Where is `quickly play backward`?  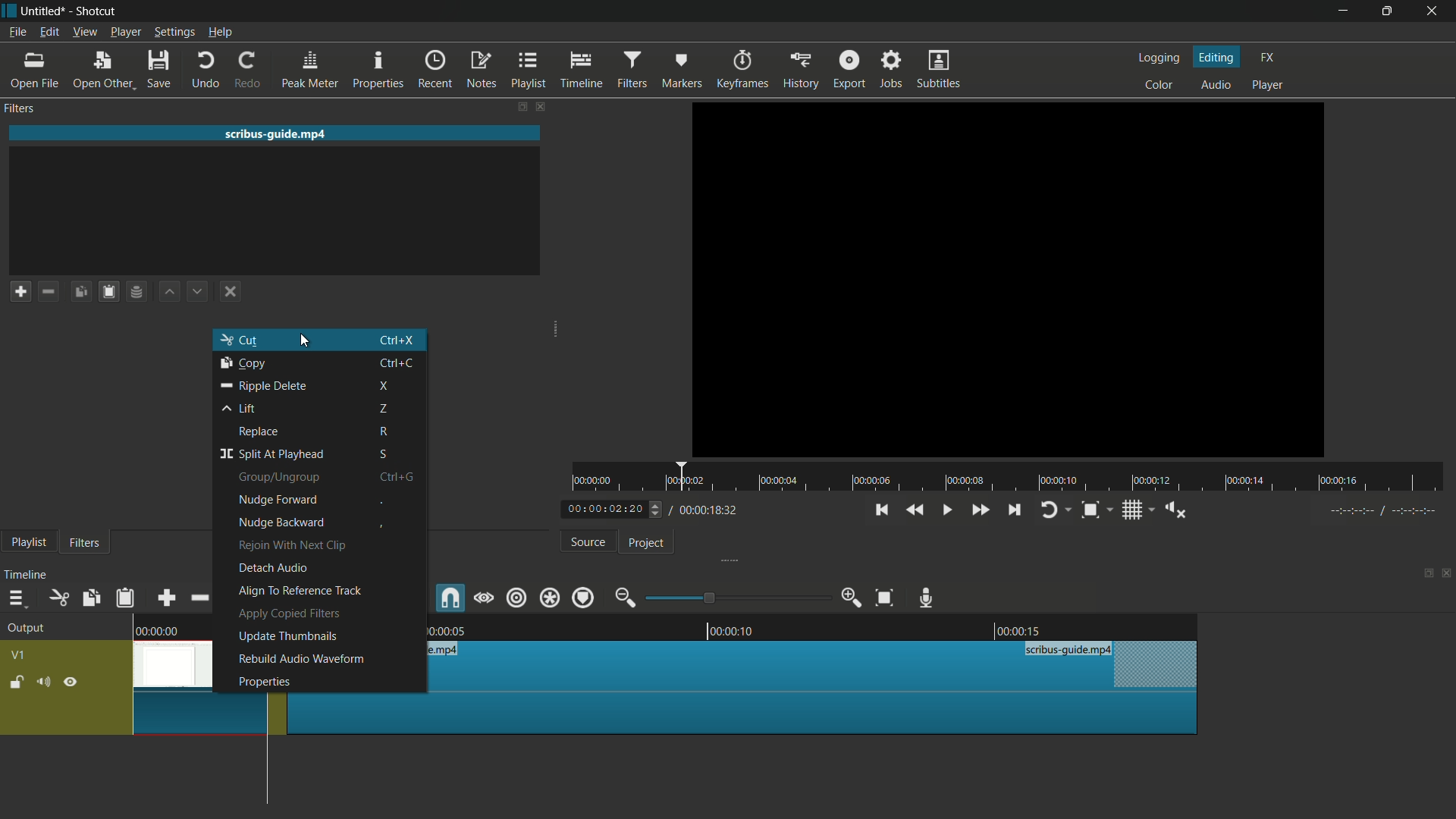 quickly play backward is located at coordinates (918, 510).